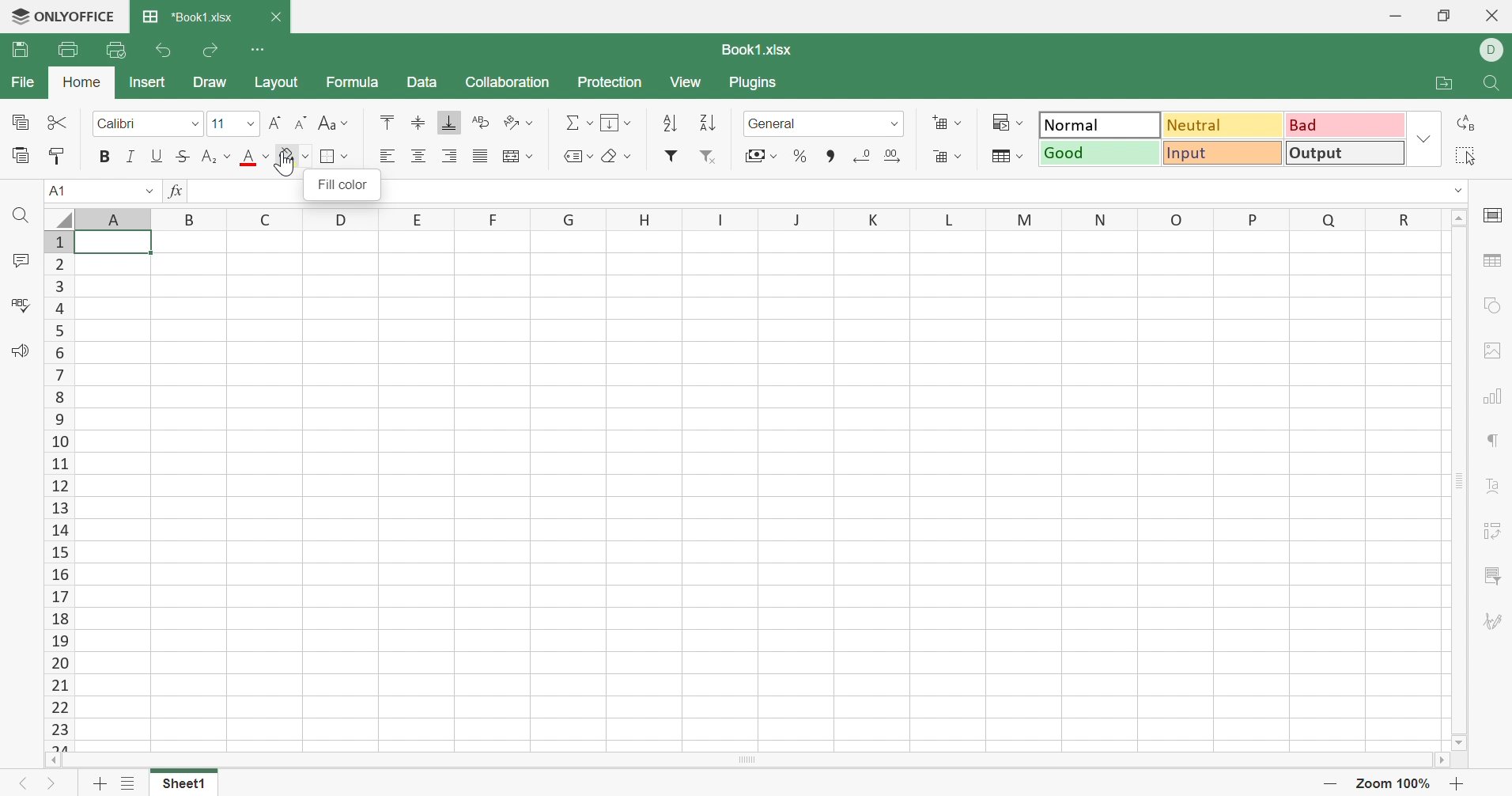 The image size is (1512, 796). Describe the element at coordinates (1446, 15) in the screenshot. I see `Restore Down` at that location.